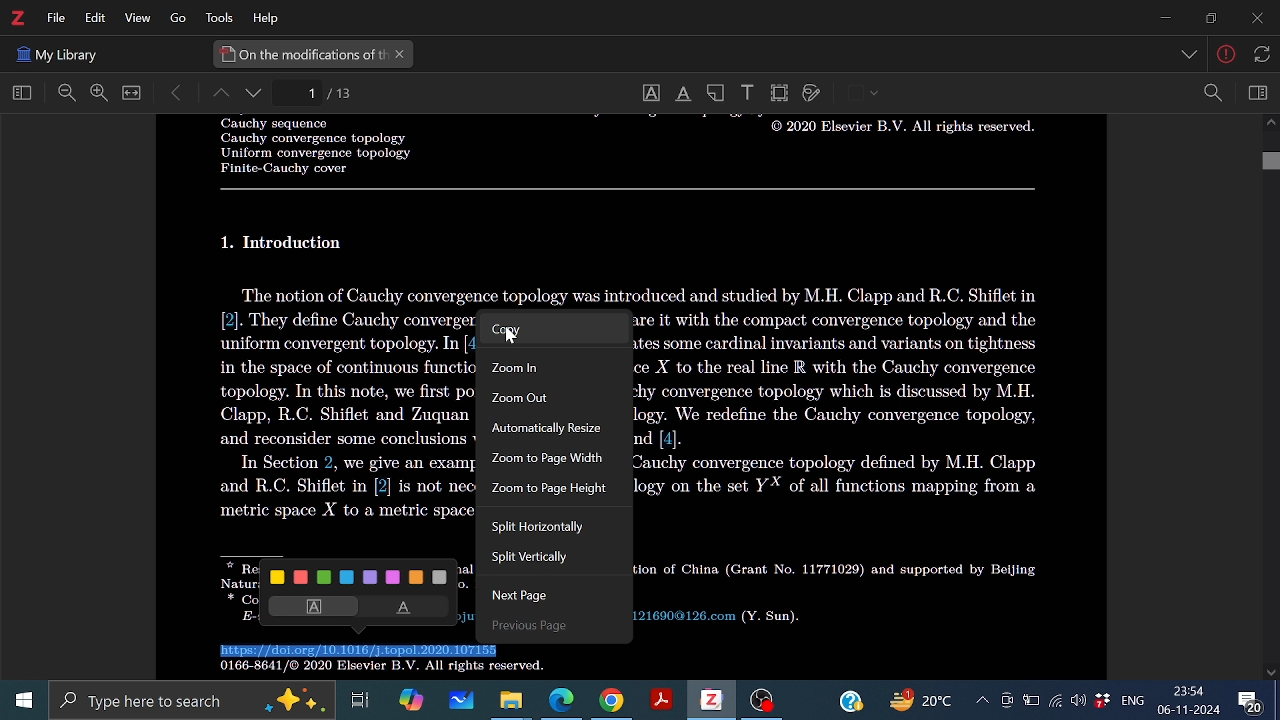 The image size is (1280, 720). Describe the element at coordinates (92, 18) in the screenshot. I see `Edit` at that location.